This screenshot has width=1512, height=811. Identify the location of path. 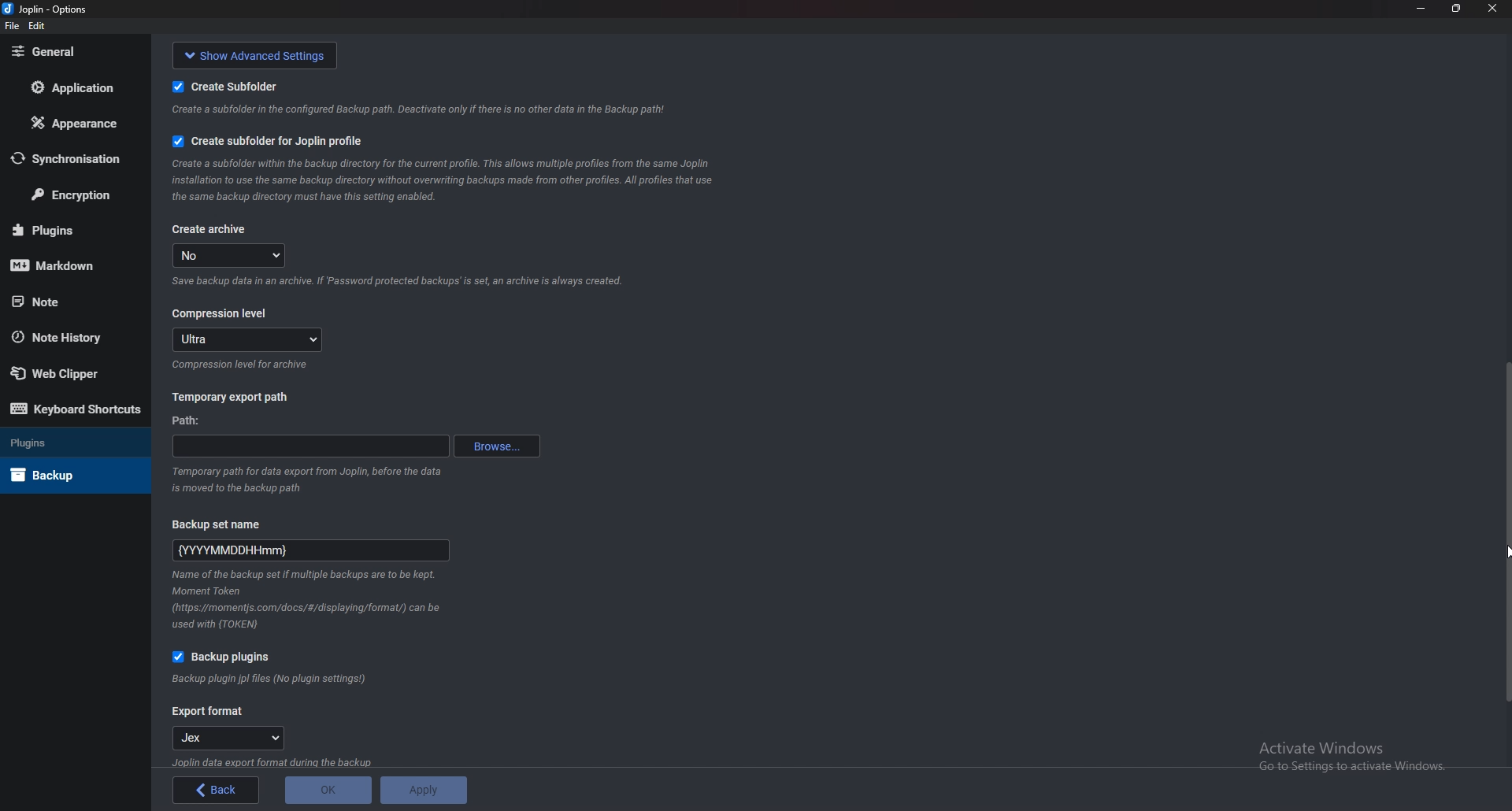
(191, 422).